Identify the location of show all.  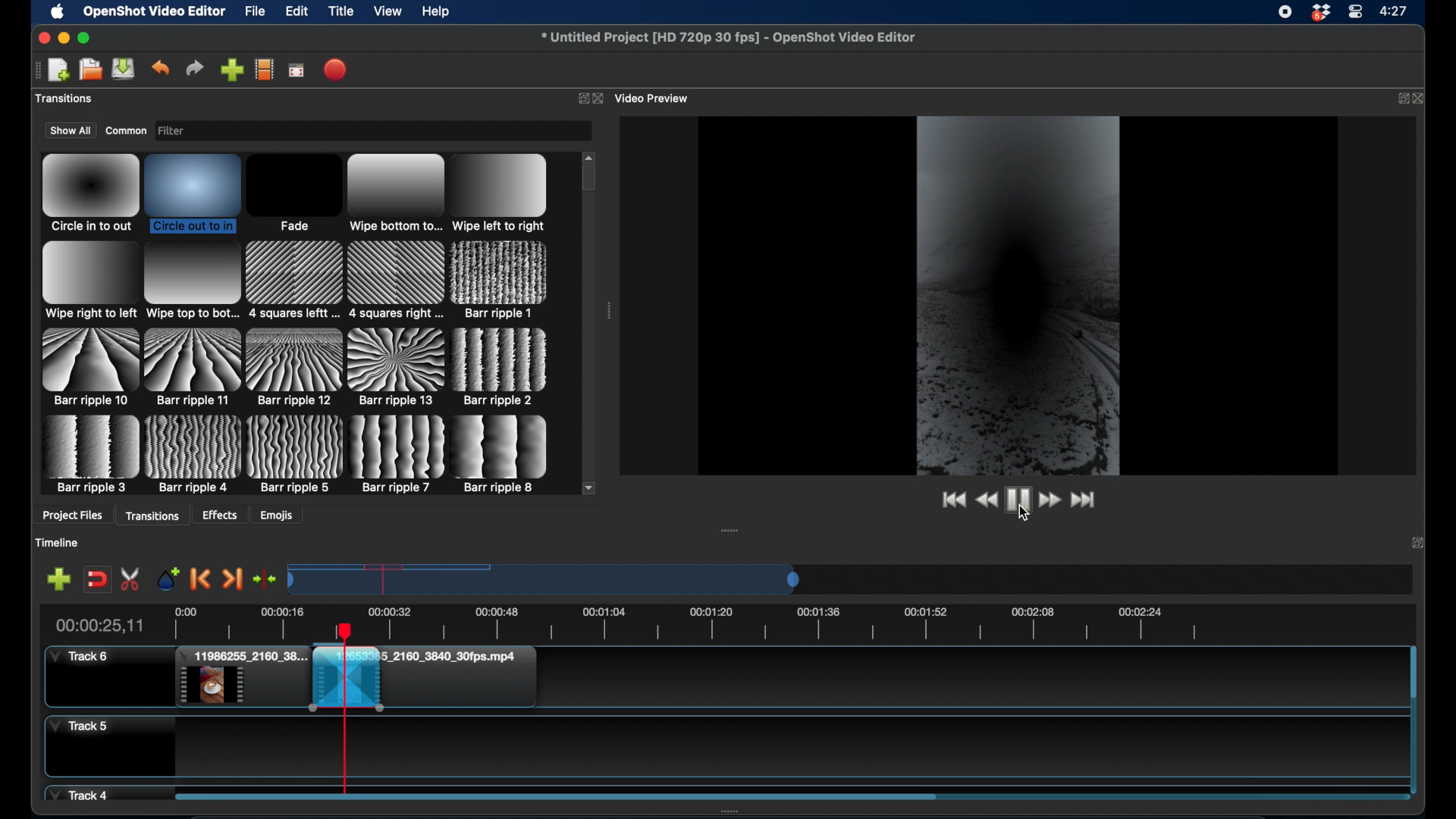
(70, 130).